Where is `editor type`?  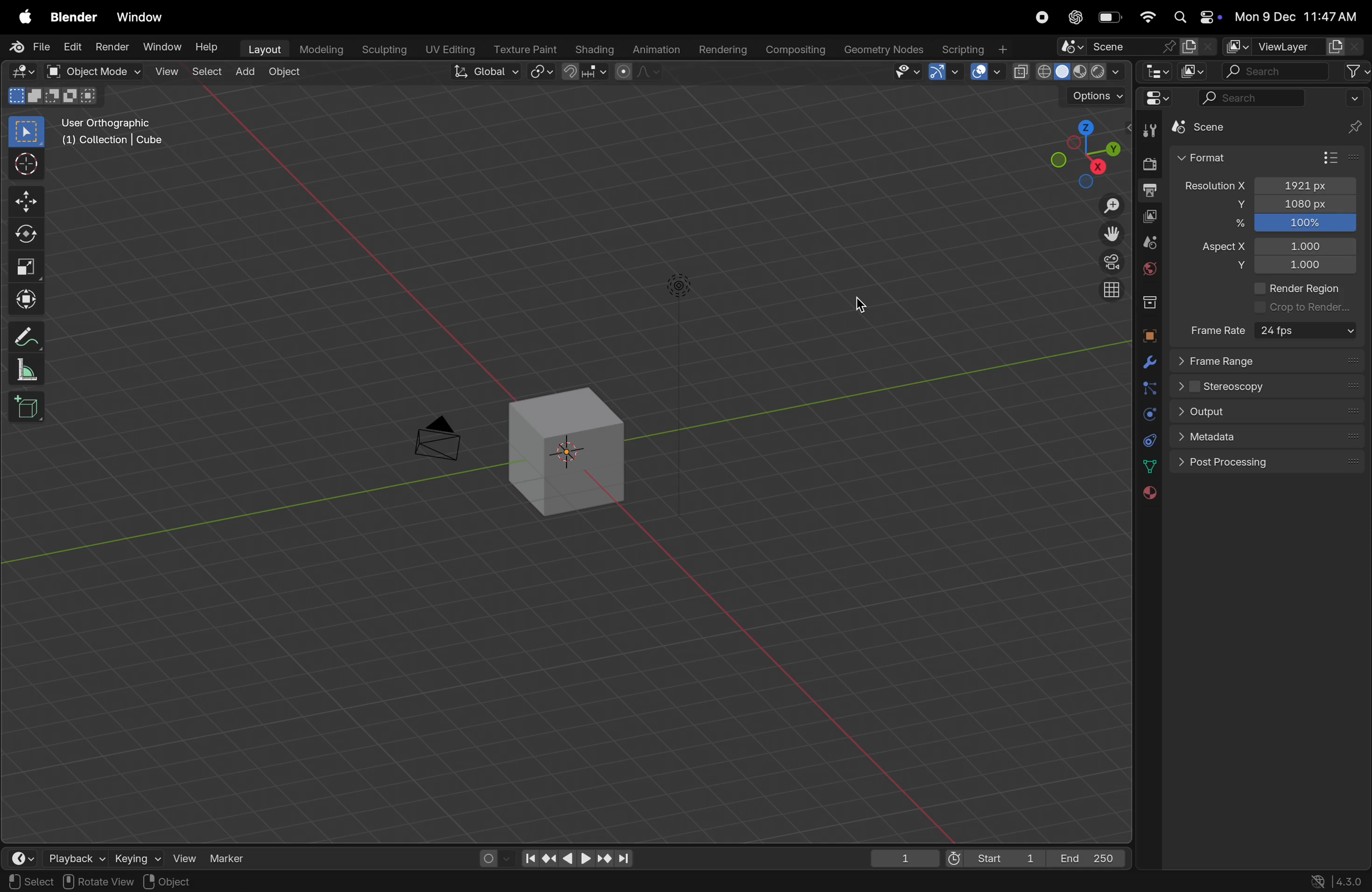
editor type is located at coordinates (1156, 71).